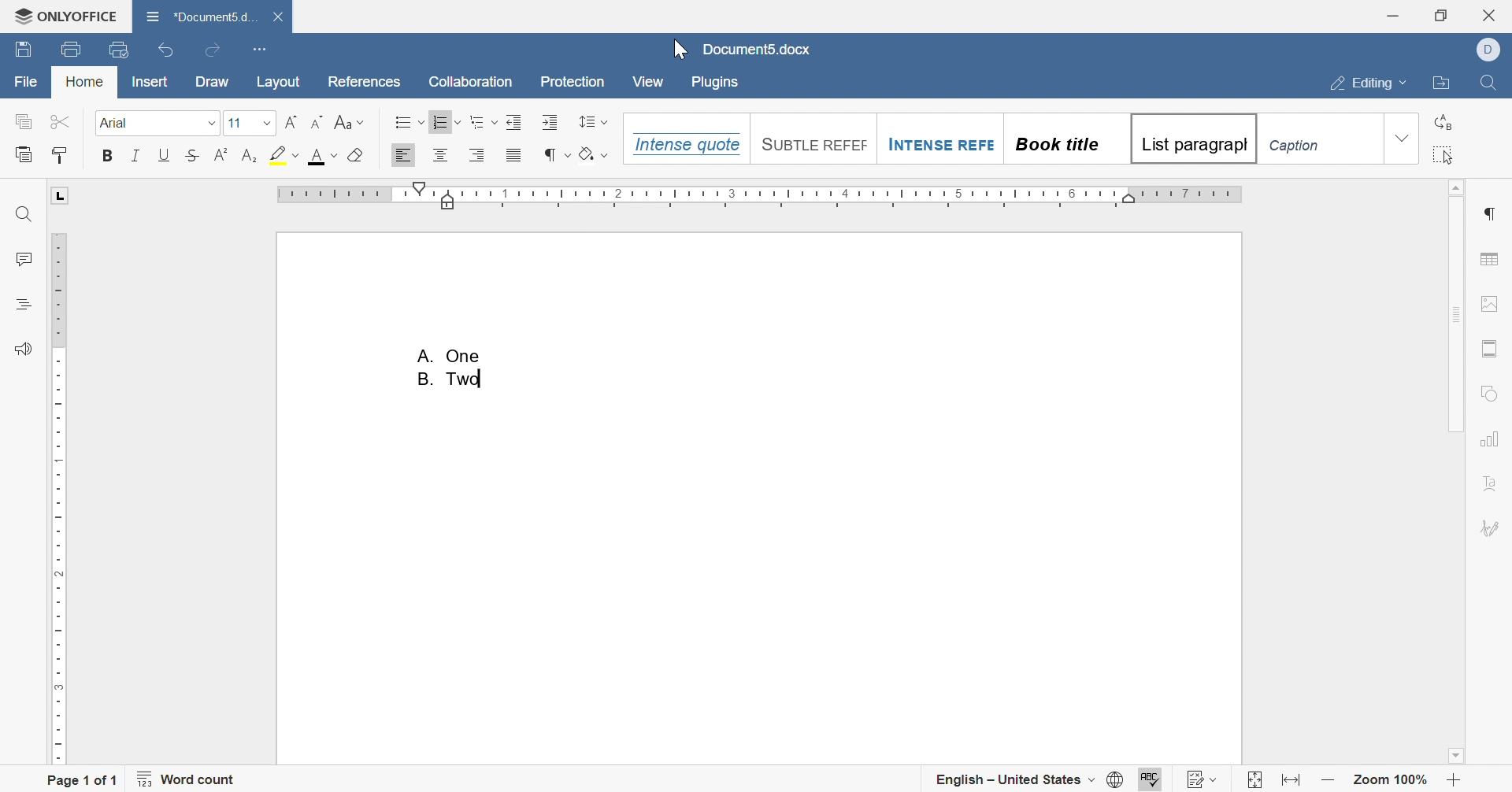  I want to click on headings, so click(23, 304).